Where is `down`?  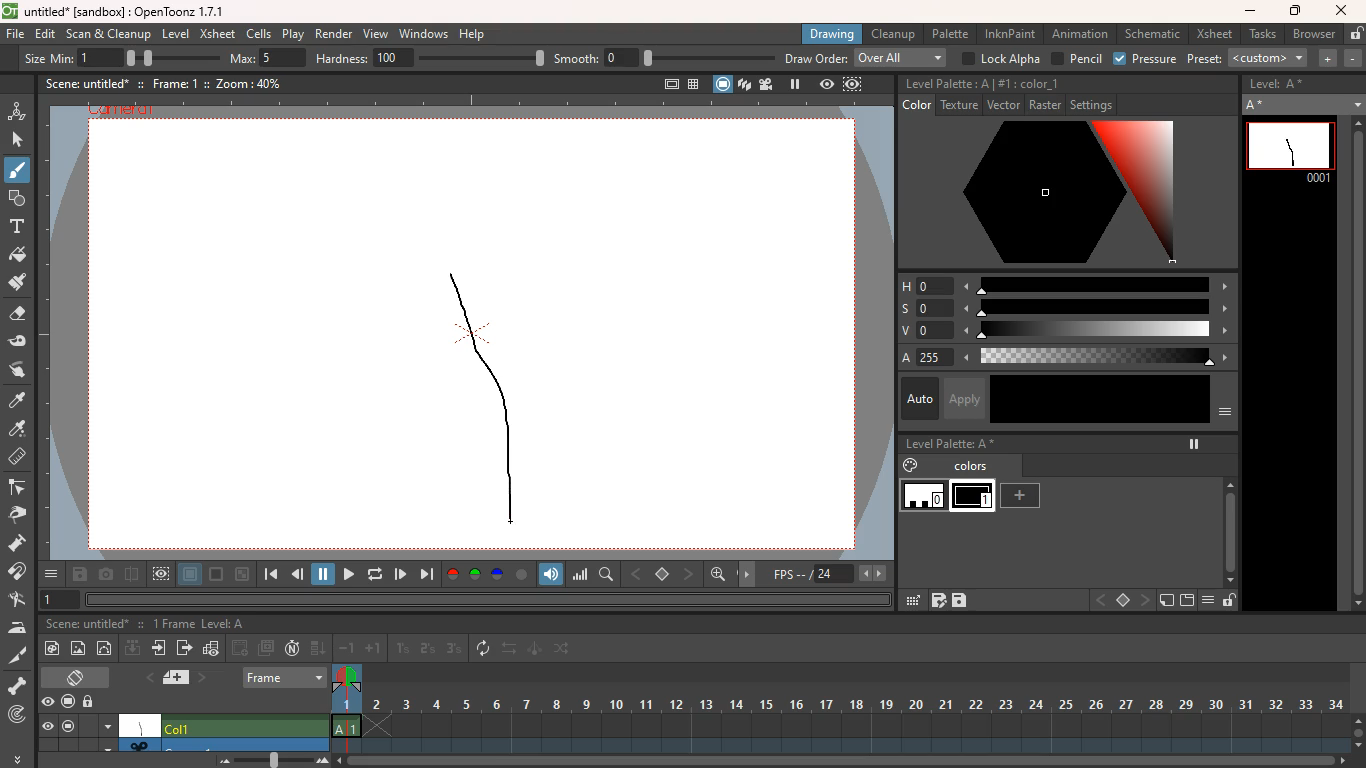 down is located at coordinates (132, 650).